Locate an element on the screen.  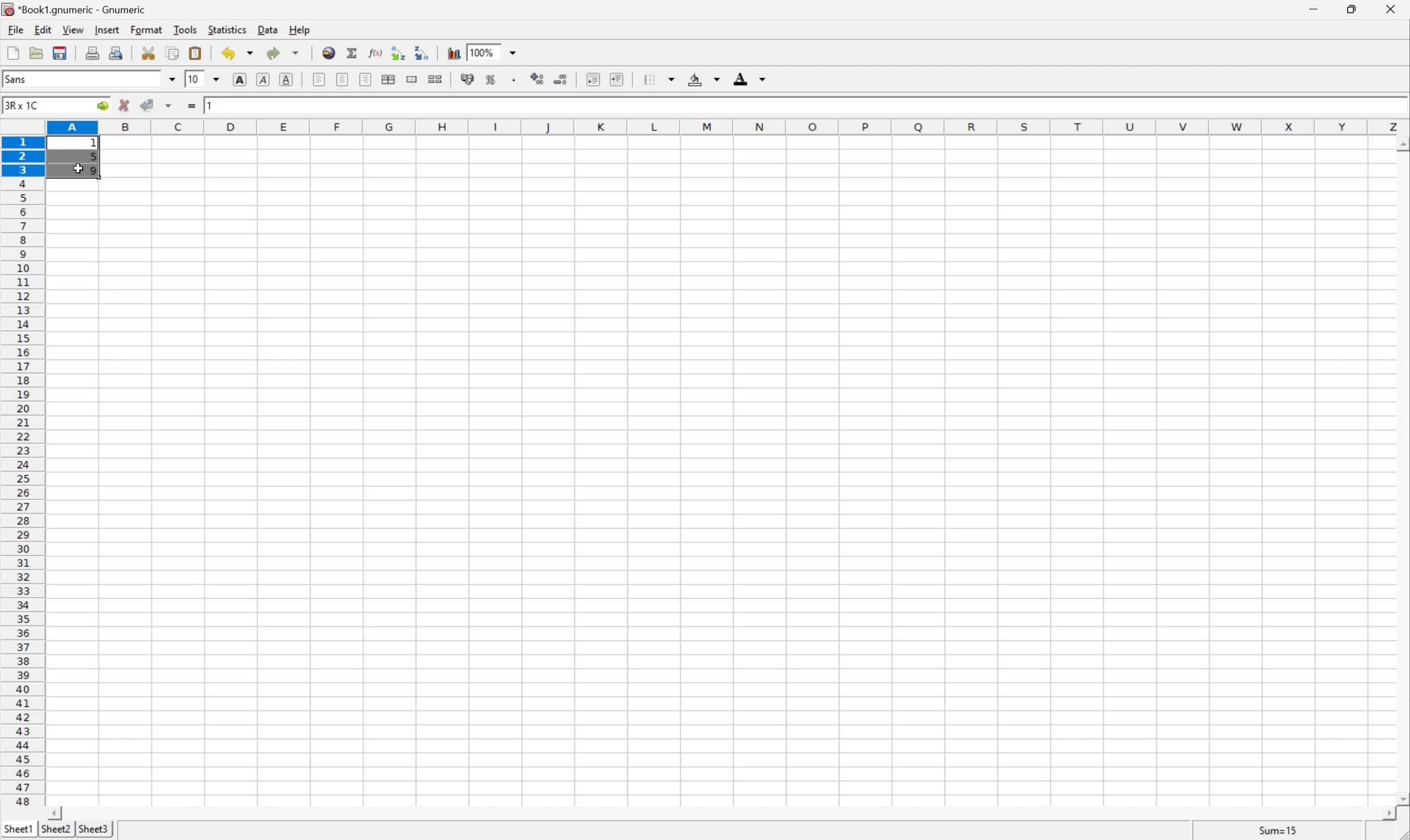
accept changes is located at coordinates (148, 104).